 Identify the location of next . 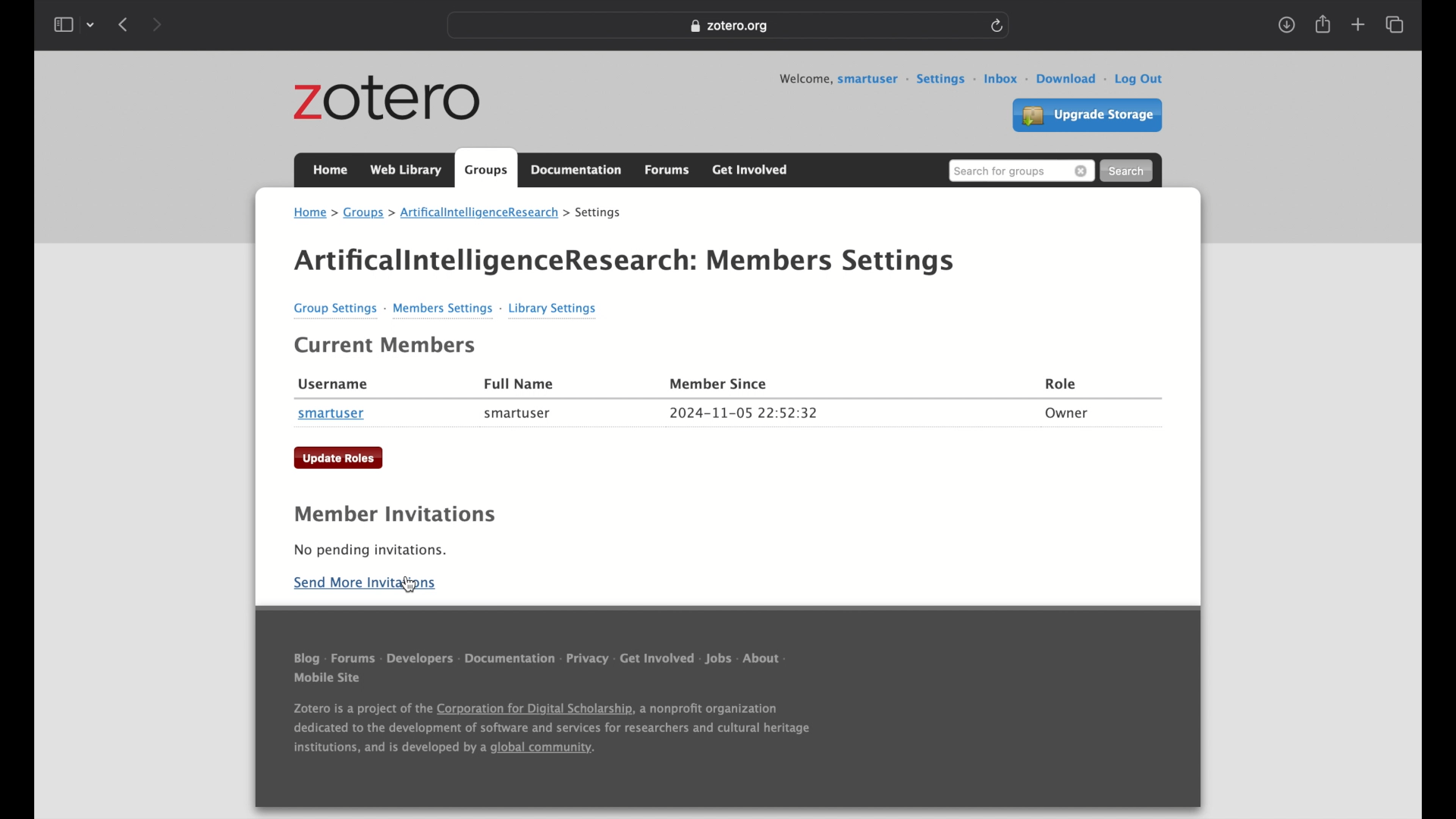
(160, 24).